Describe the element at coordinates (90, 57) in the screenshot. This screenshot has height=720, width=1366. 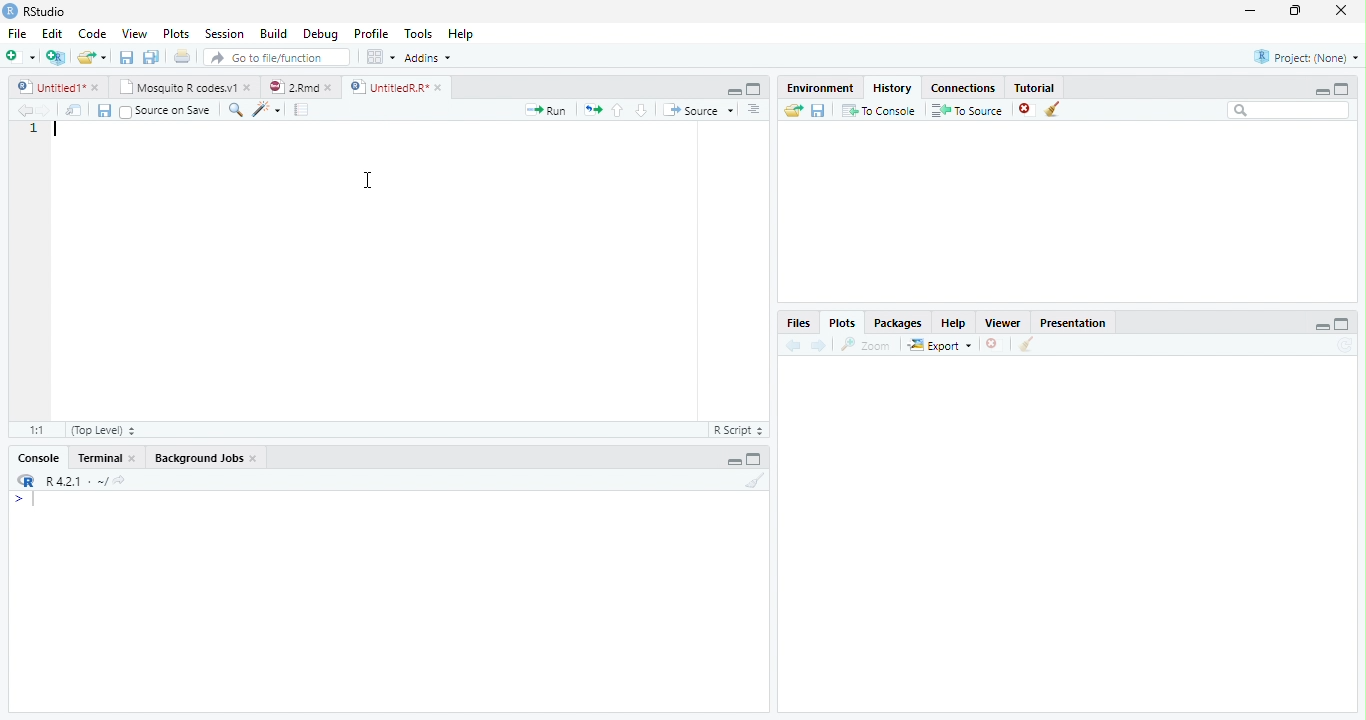
I see `open an existing file` at that location.